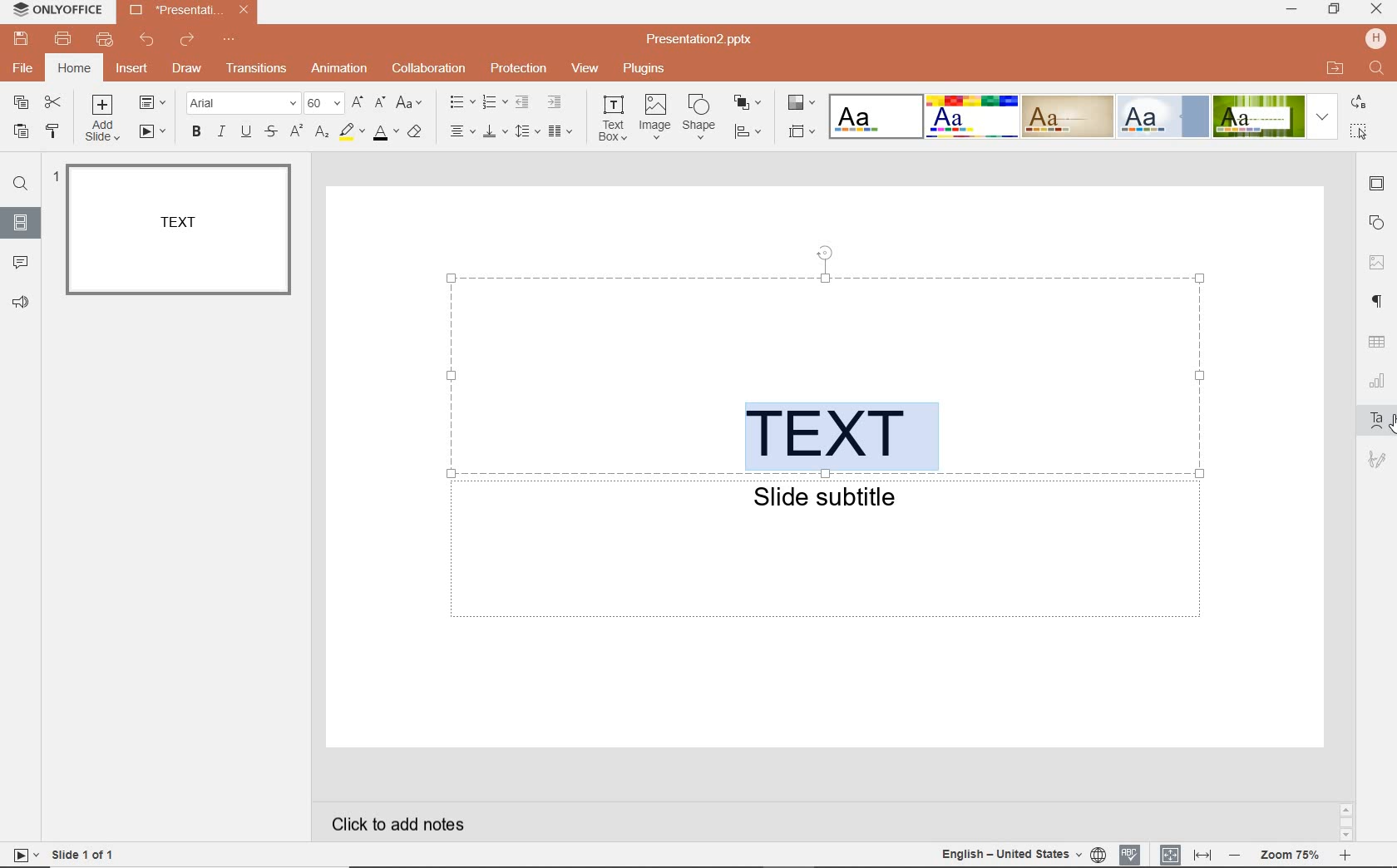  What do you see at coordinates (21, 260) in the screenshot?
I see `COMMENTS` at bounding box center [21, 260].